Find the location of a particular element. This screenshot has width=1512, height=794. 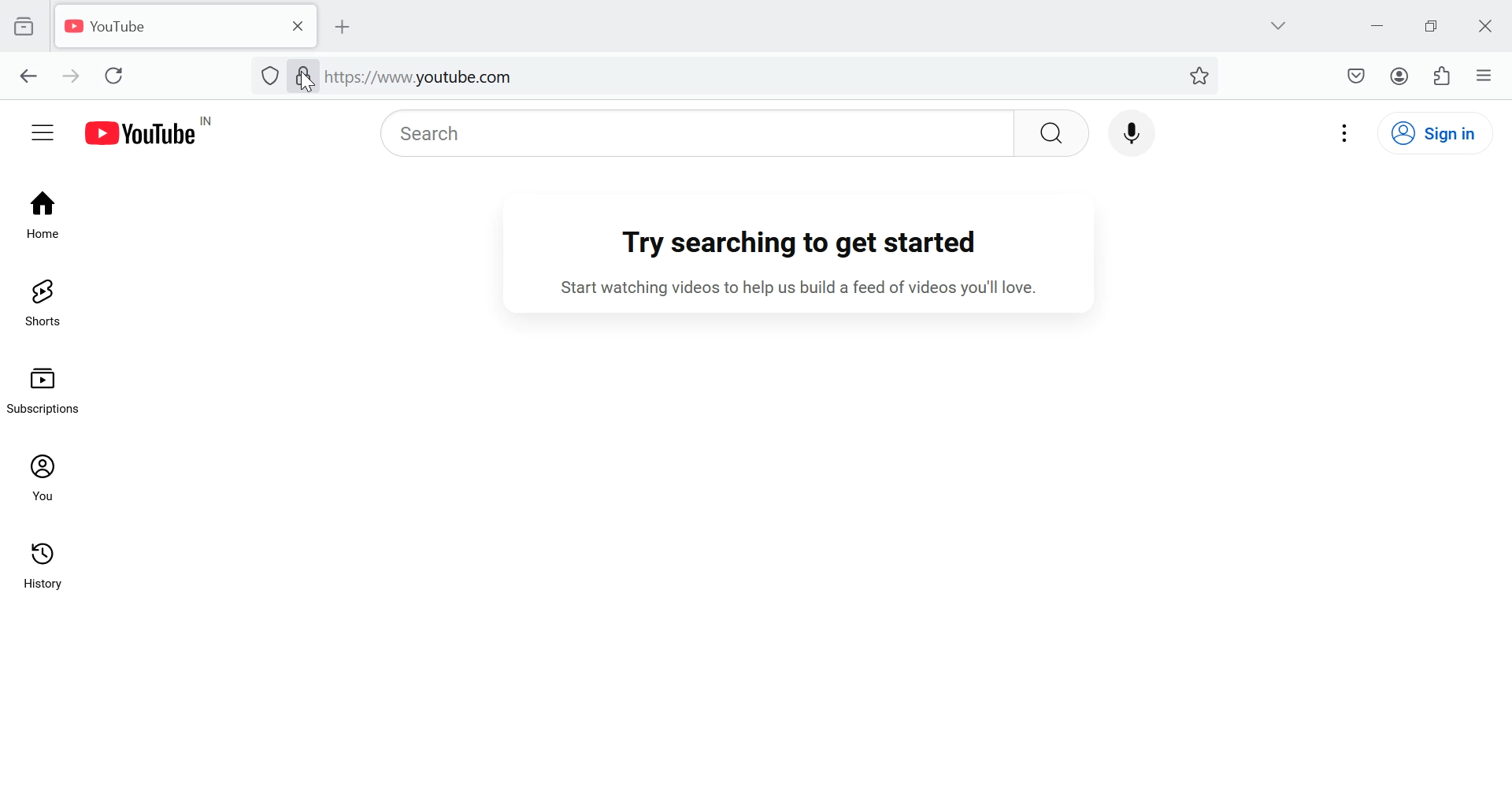

Open application menu is located at coordinates (1484, 74).